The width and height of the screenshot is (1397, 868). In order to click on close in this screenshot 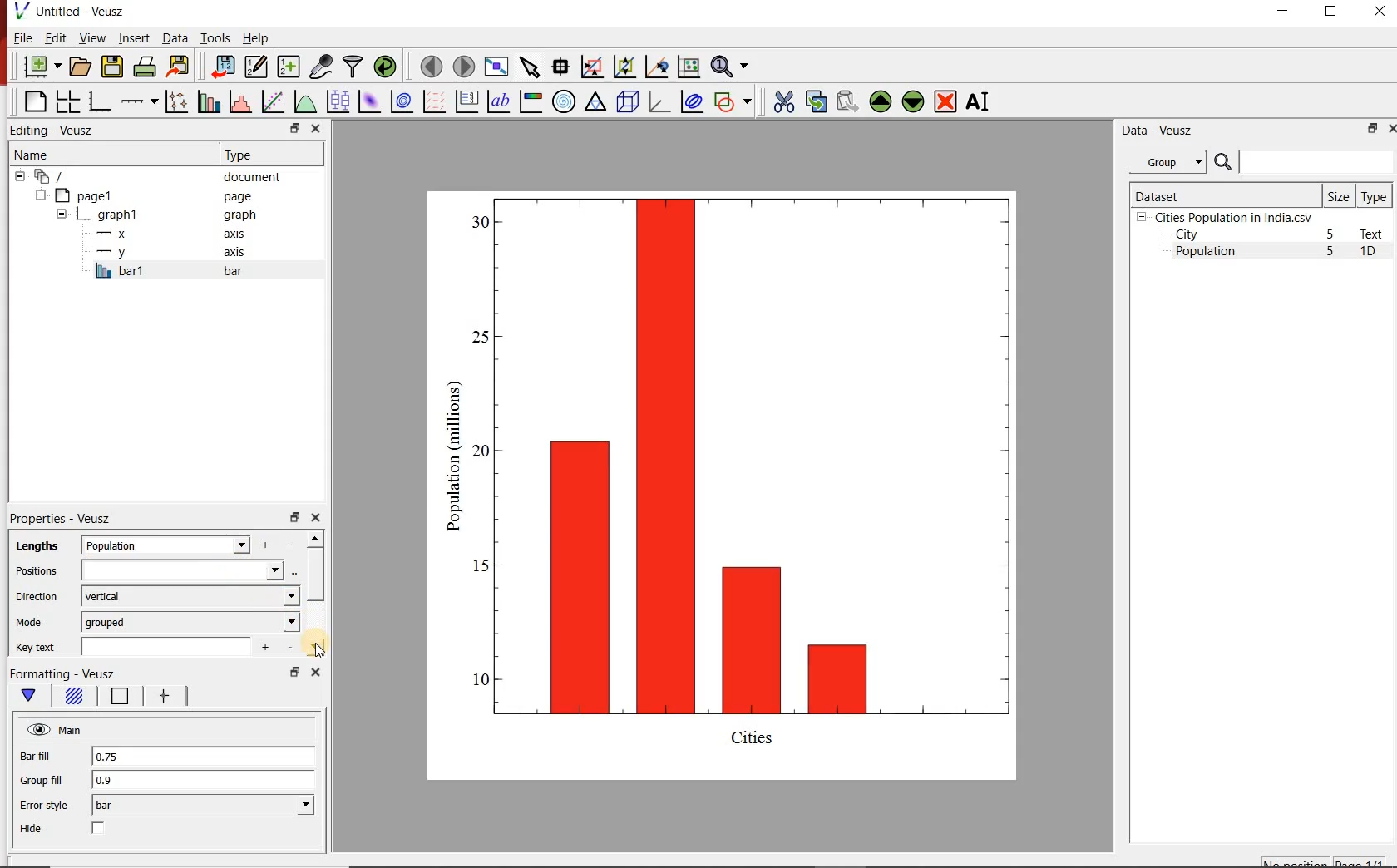, I will do `click(313, 672)`.